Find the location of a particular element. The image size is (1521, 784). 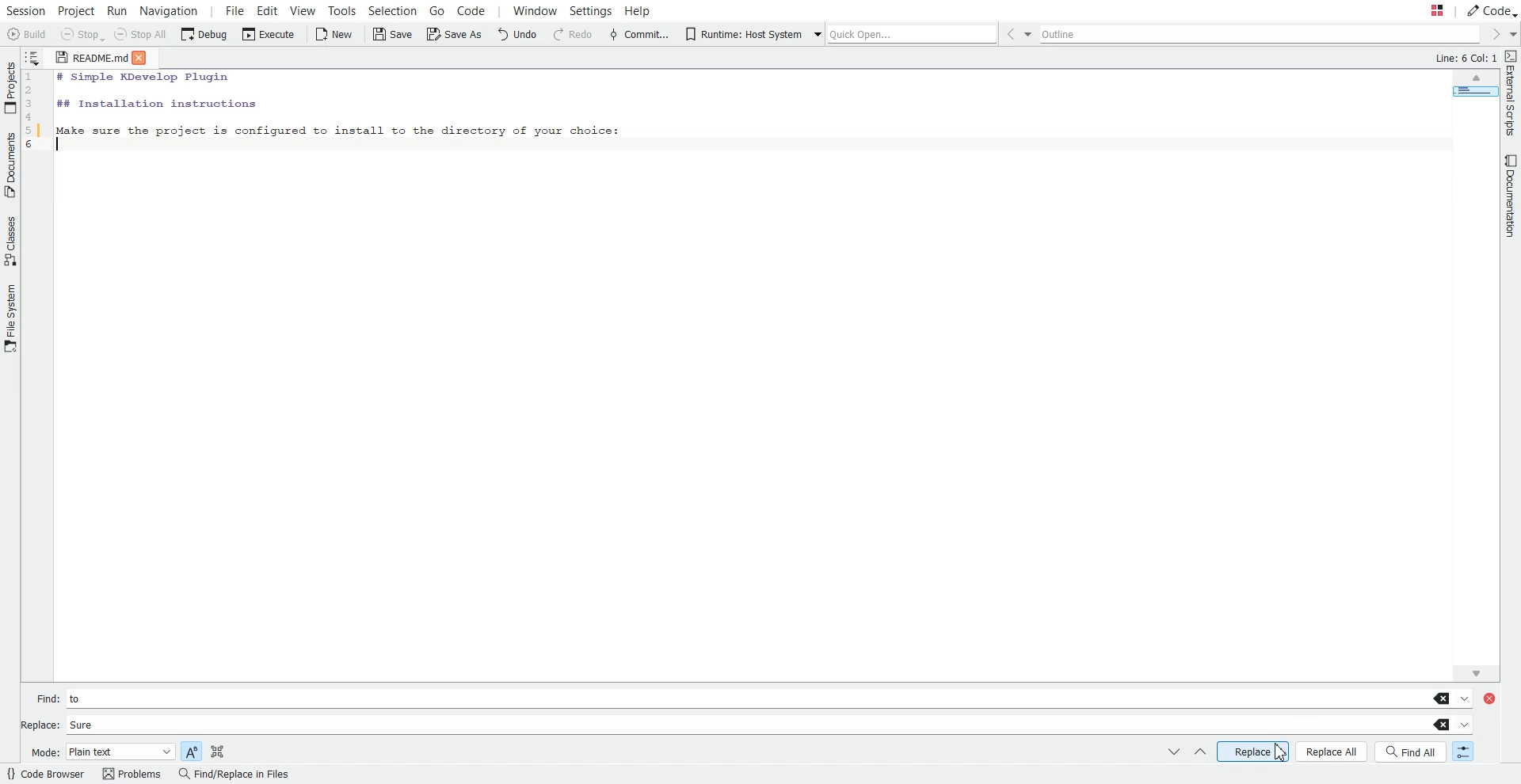

Search in selection only is located at coordinates (217, 750).